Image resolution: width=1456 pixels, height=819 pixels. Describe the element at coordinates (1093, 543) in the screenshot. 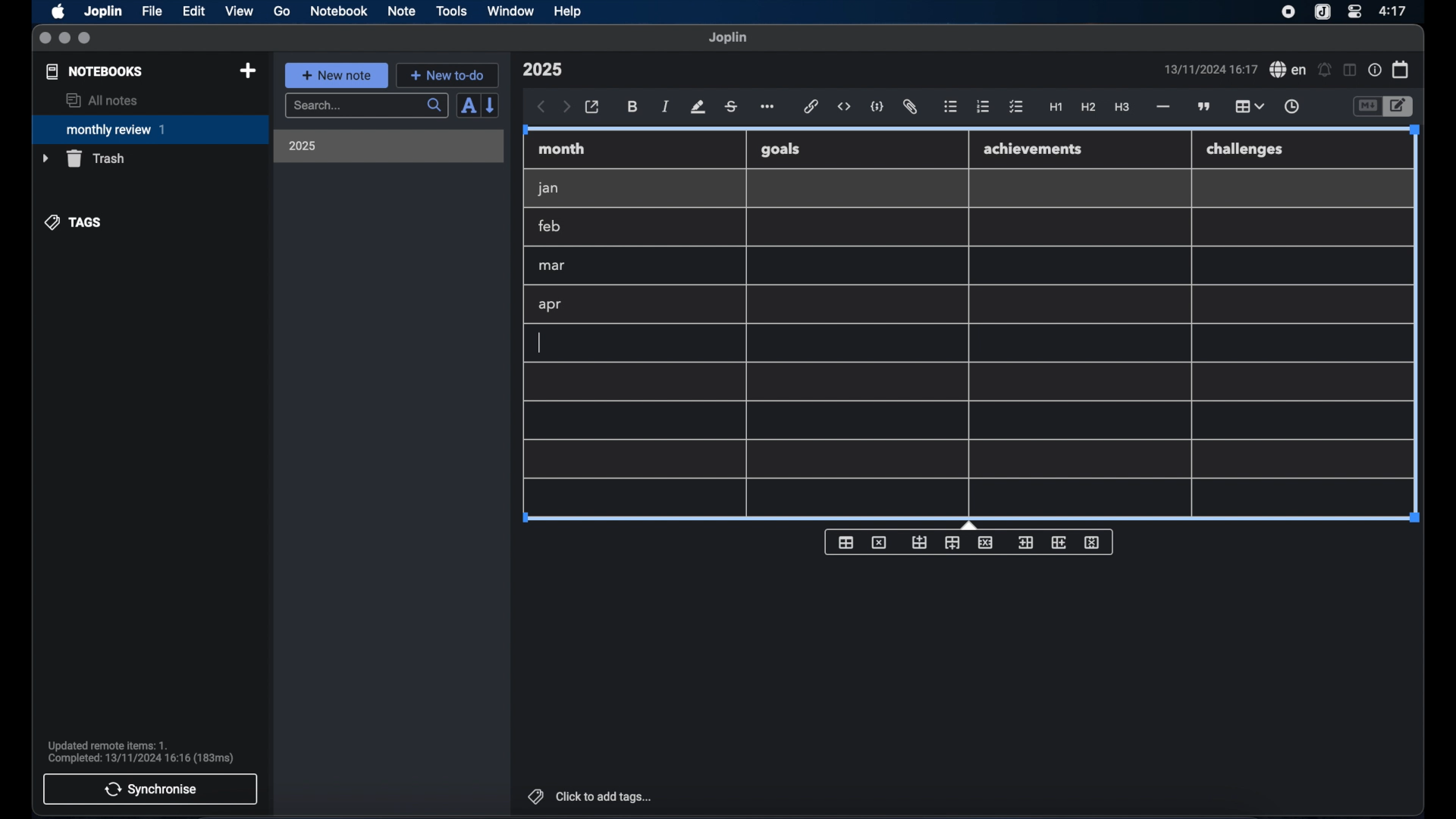

I see `delete column` at that location.